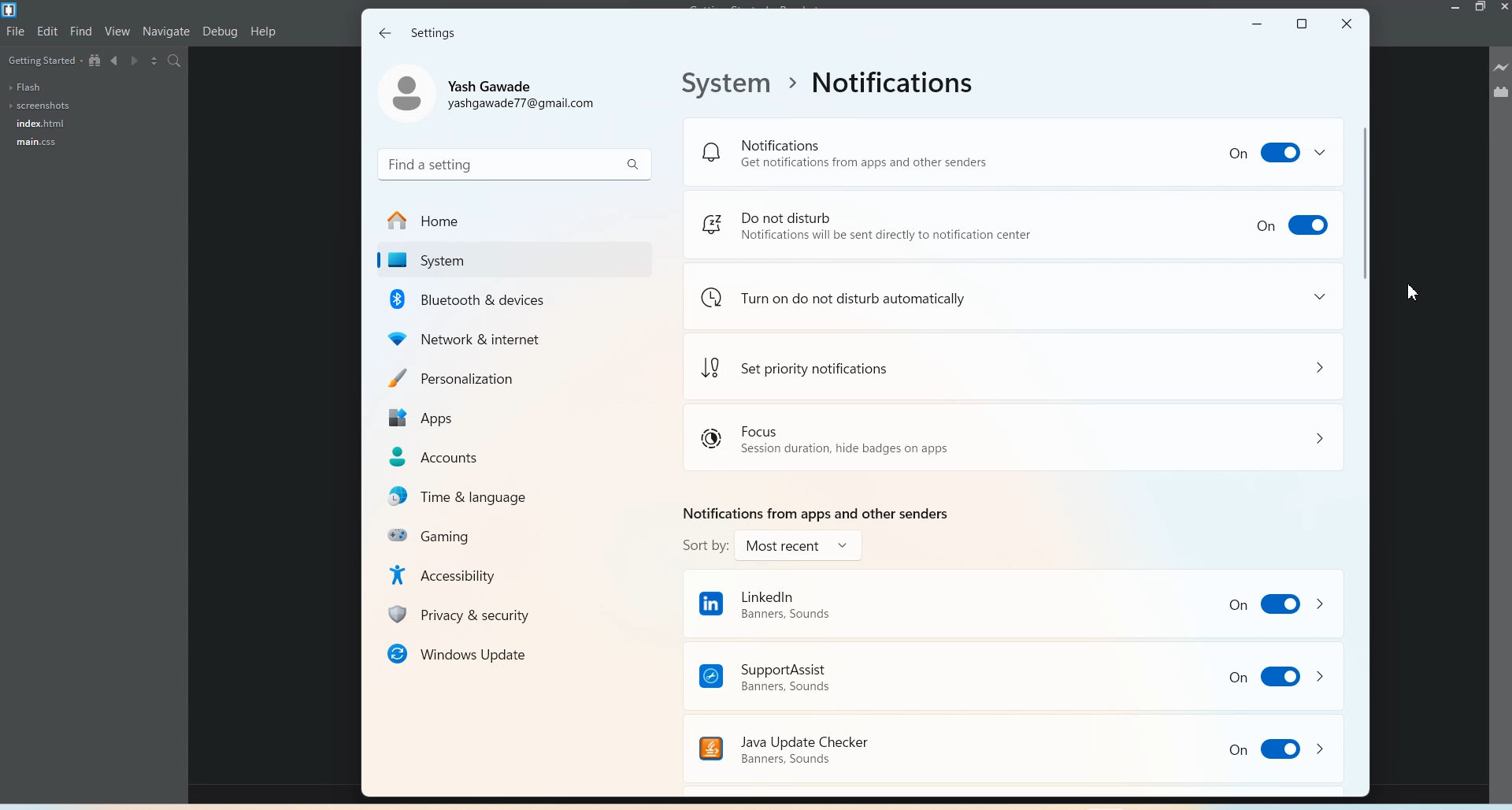  I want to click on Text, so click(813, 512).